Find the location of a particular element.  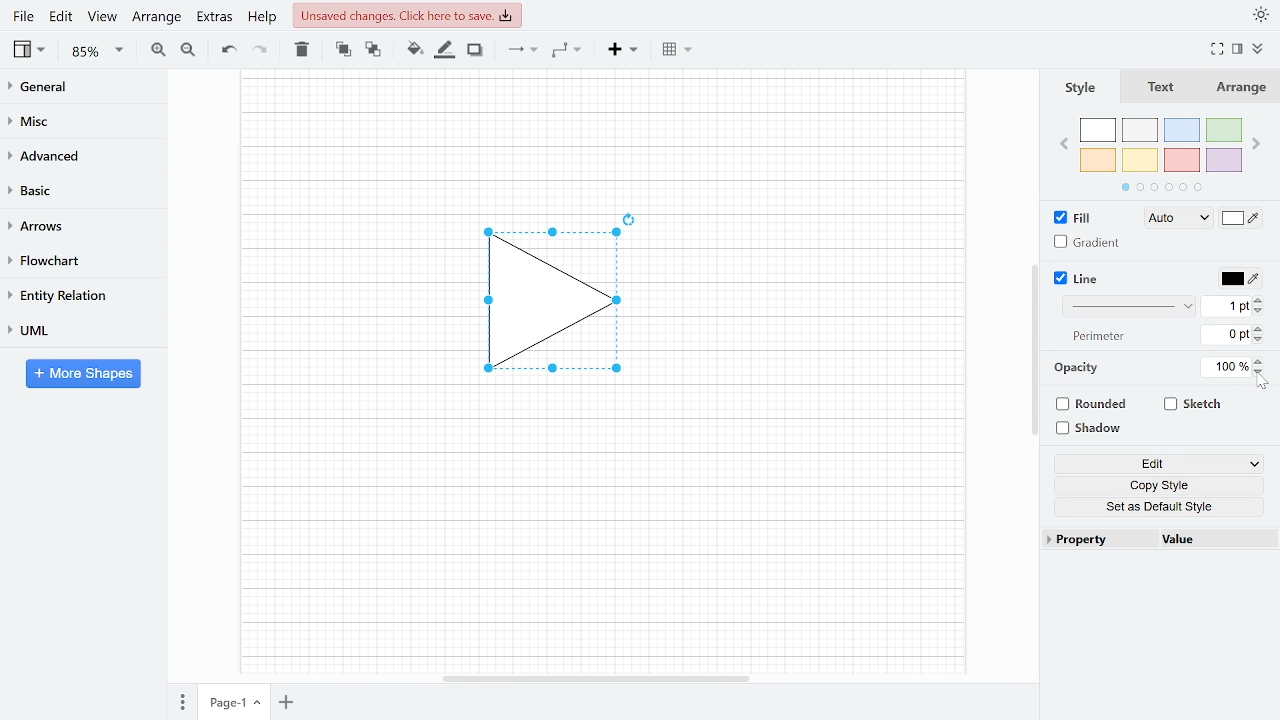

Line style is located at coordinates (1132, 306).